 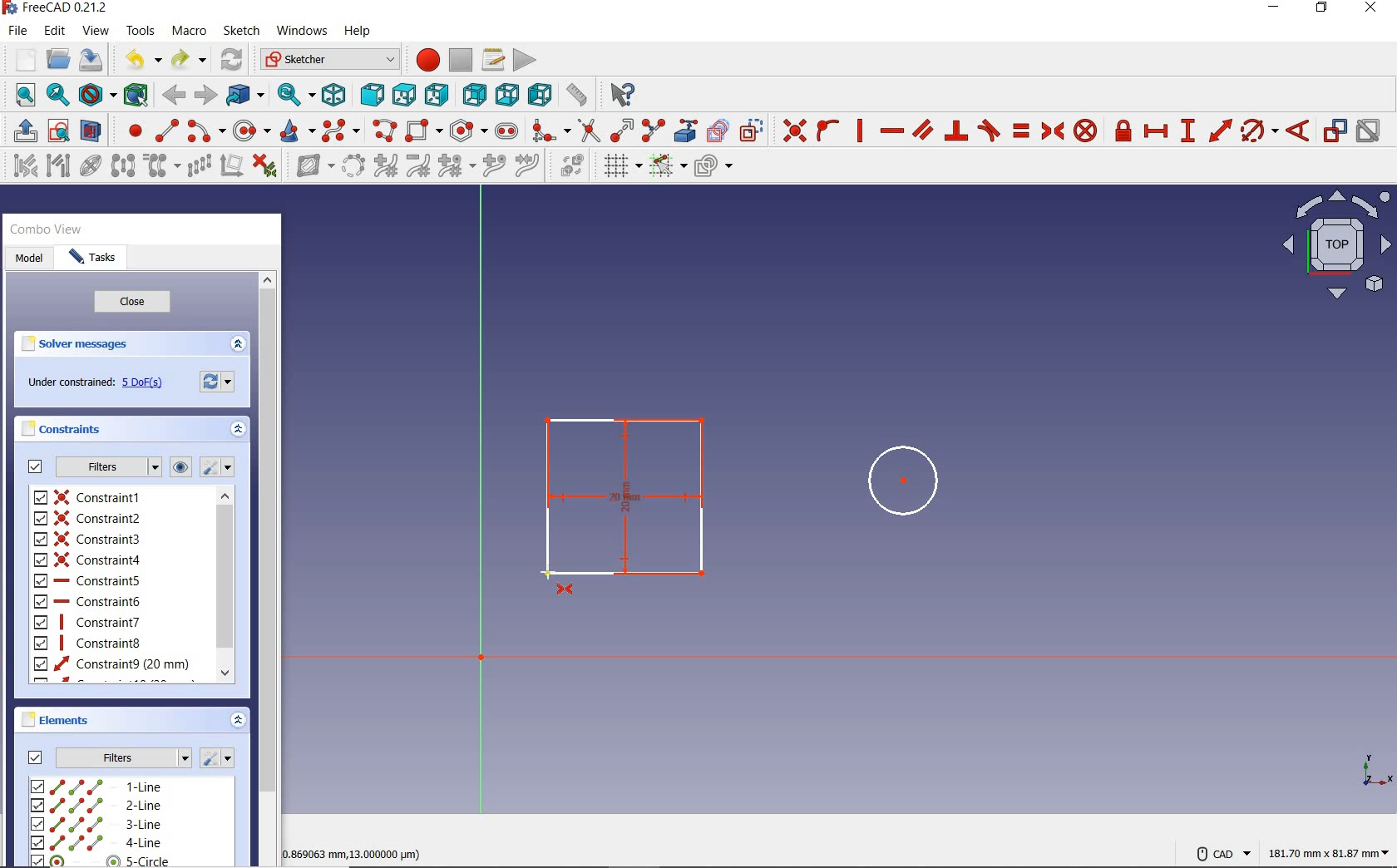 I want to click on decrease B-spline degree, so click(x=417, y=165).